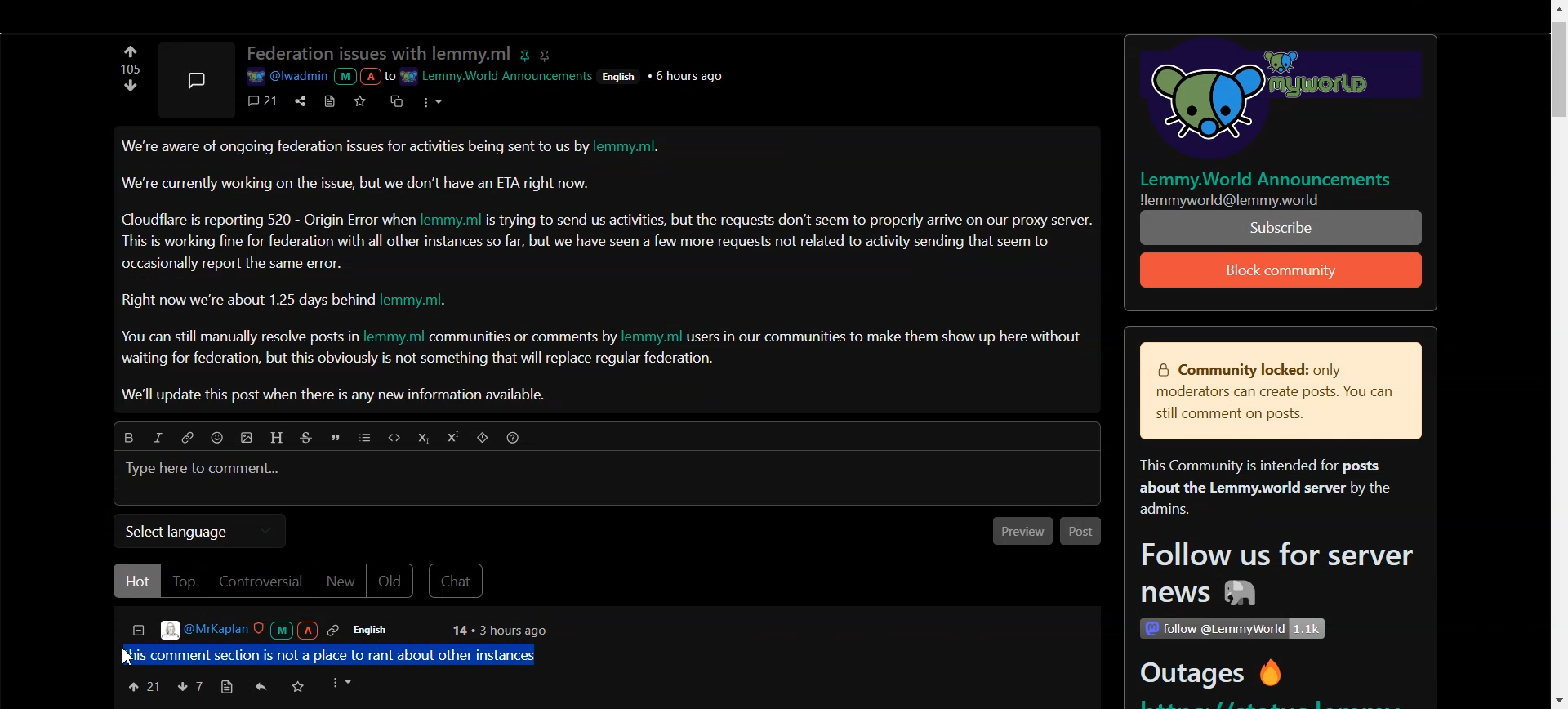  I want to click on , so click(1271, 102).